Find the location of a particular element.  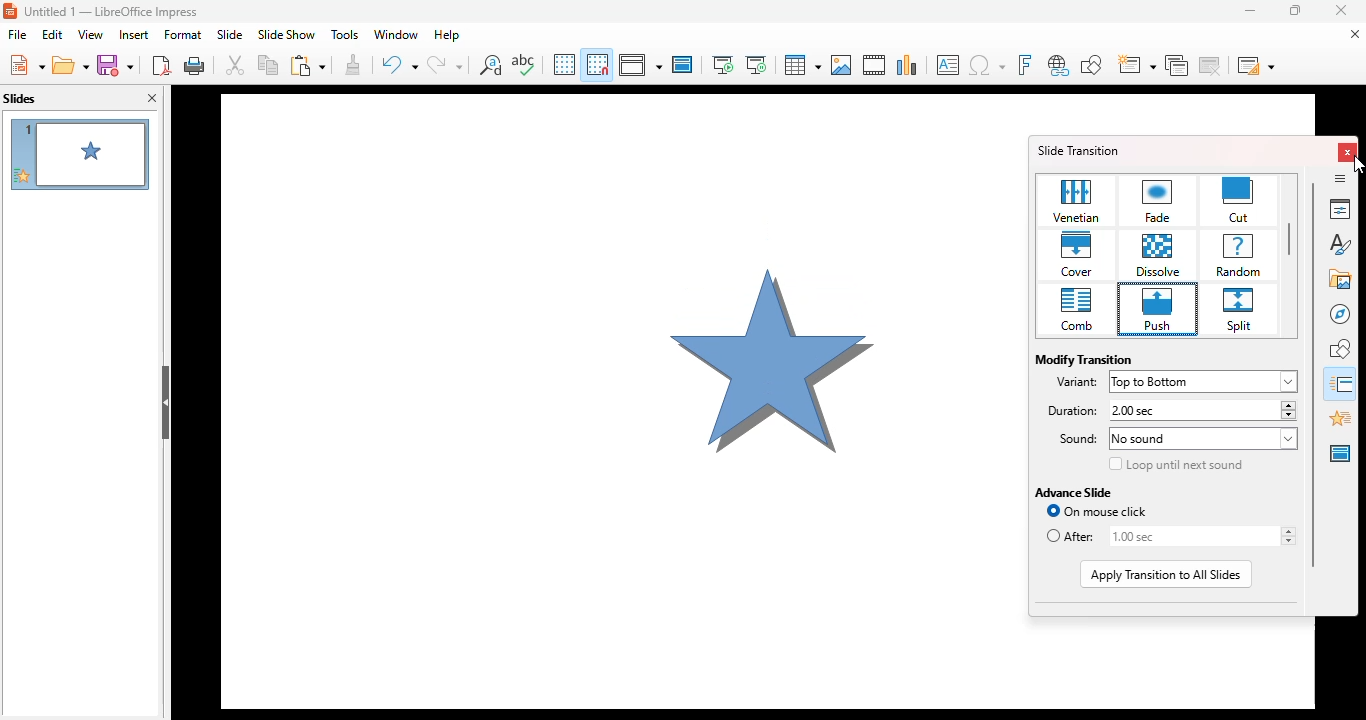

new slide is located at coordinates (1136, 66).